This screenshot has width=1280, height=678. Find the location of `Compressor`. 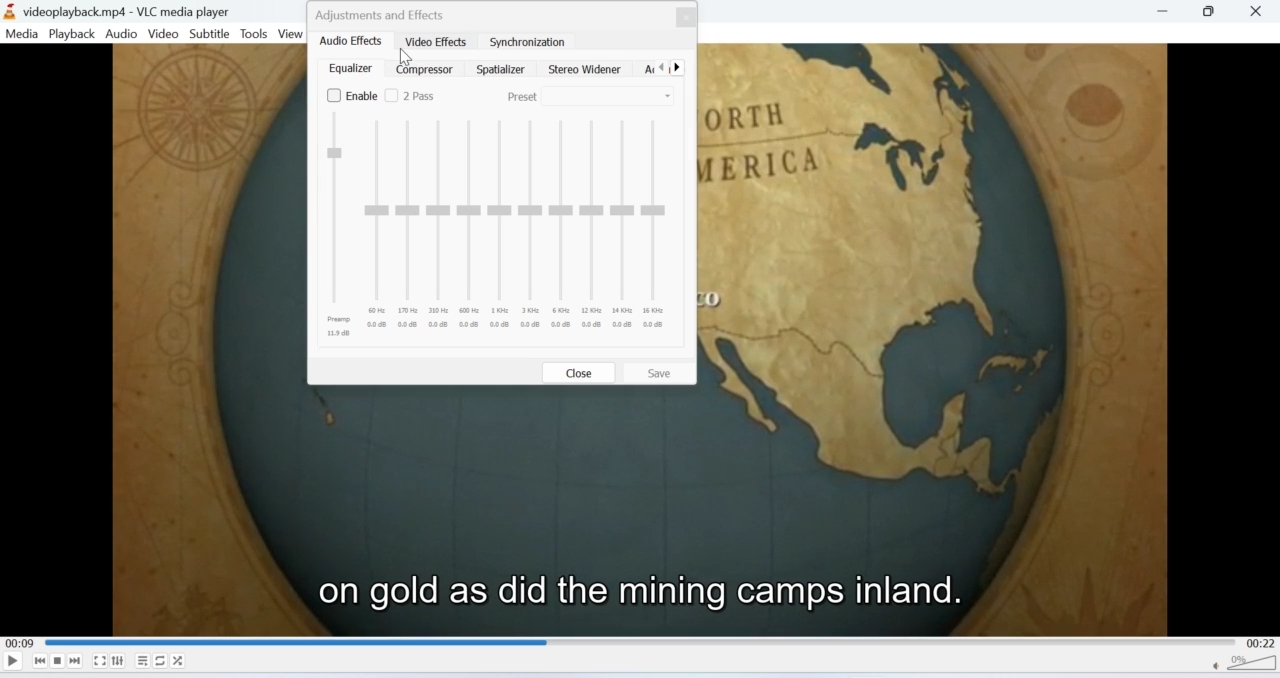

Compressor is located at coordinates (420, 69).